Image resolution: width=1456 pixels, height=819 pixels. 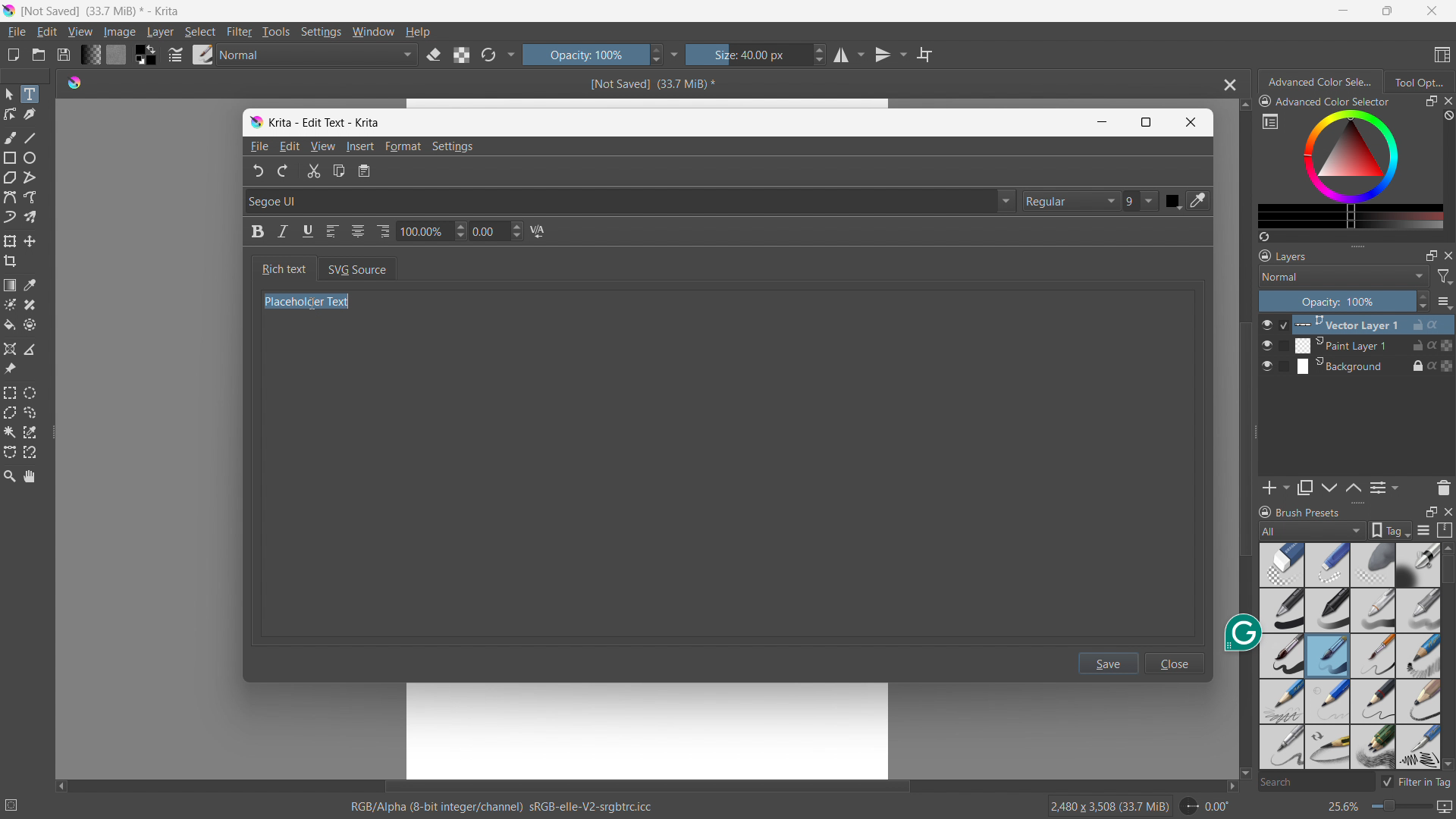 I want to click on notepad, so click(x=372, y=172).